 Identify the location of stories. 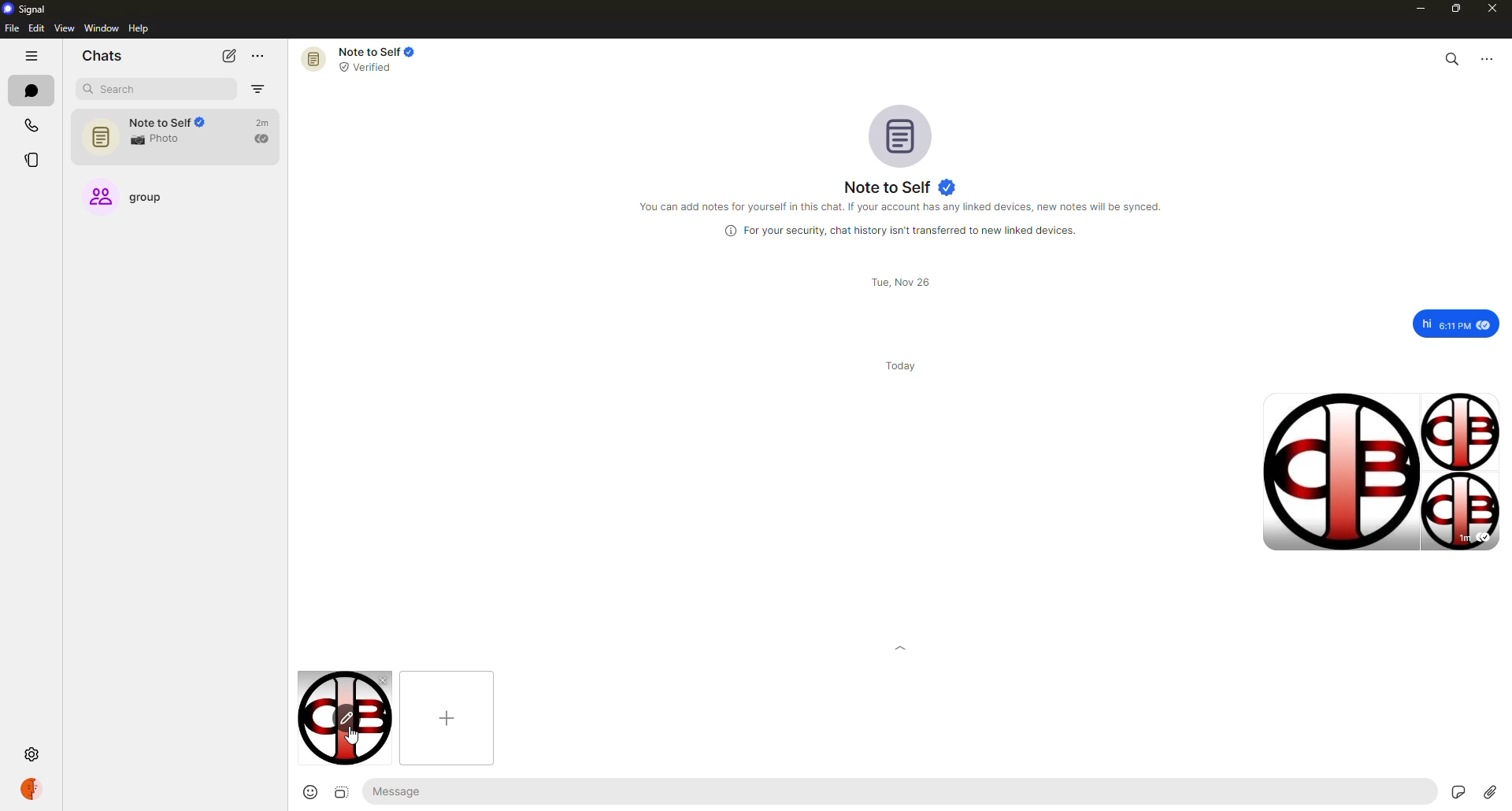
(31, 157).